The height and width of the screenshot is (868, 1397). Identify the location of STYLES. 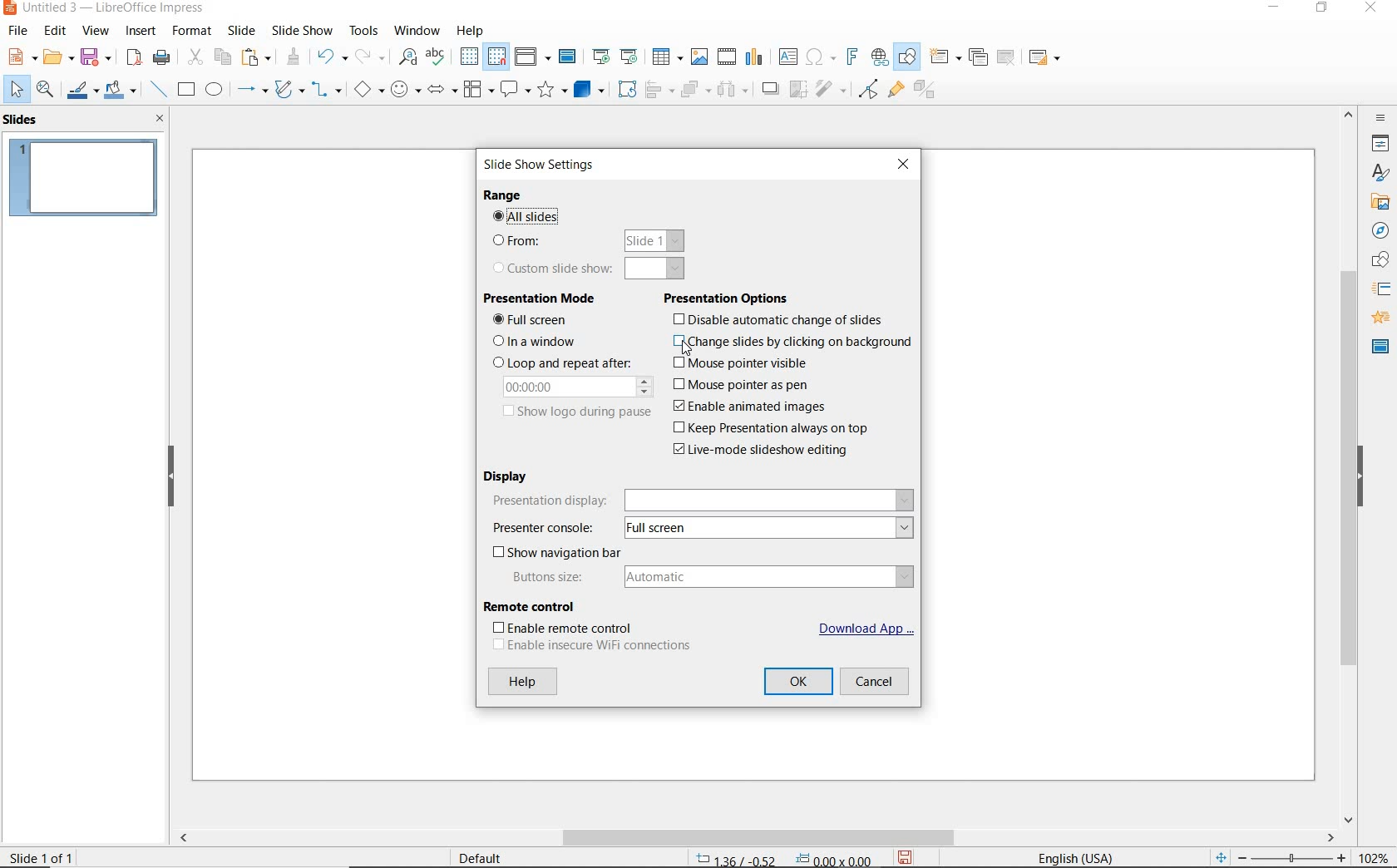
(1380, 174).